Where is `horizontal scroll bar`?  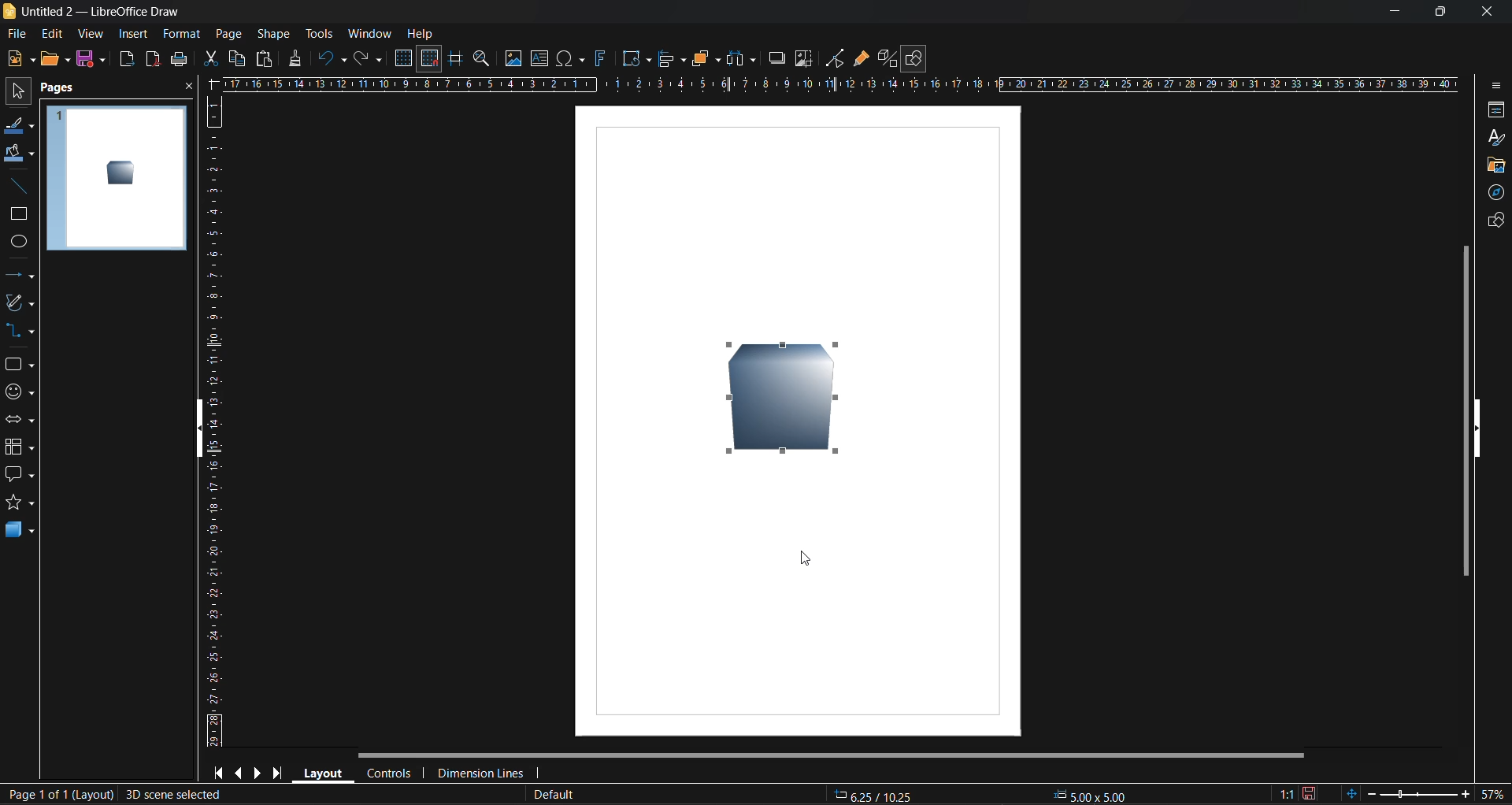 horizontal scroll bar is located at coordinates (836, 755).